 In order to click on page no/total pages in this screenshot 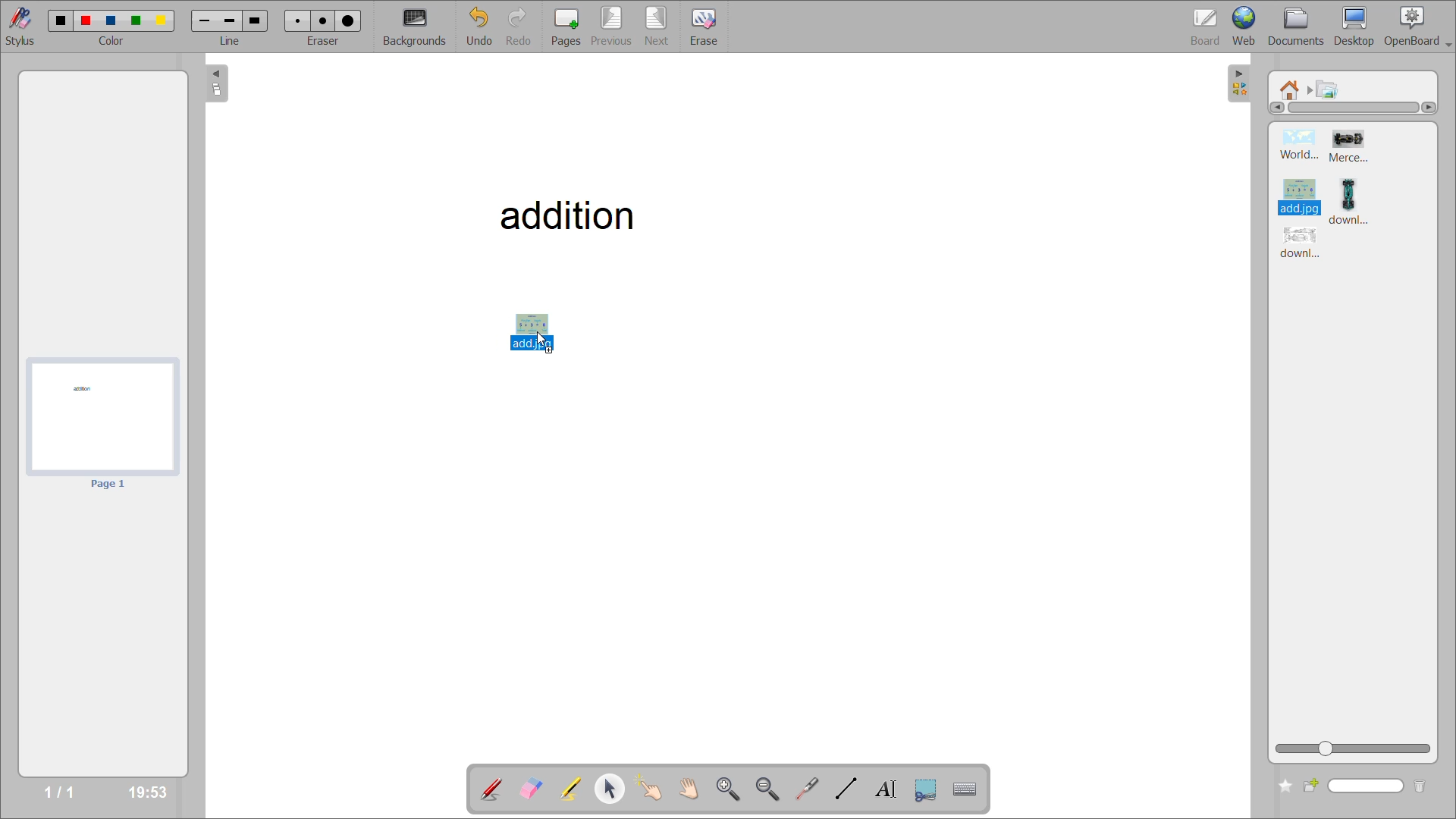, I will do `click(59, 790)`.